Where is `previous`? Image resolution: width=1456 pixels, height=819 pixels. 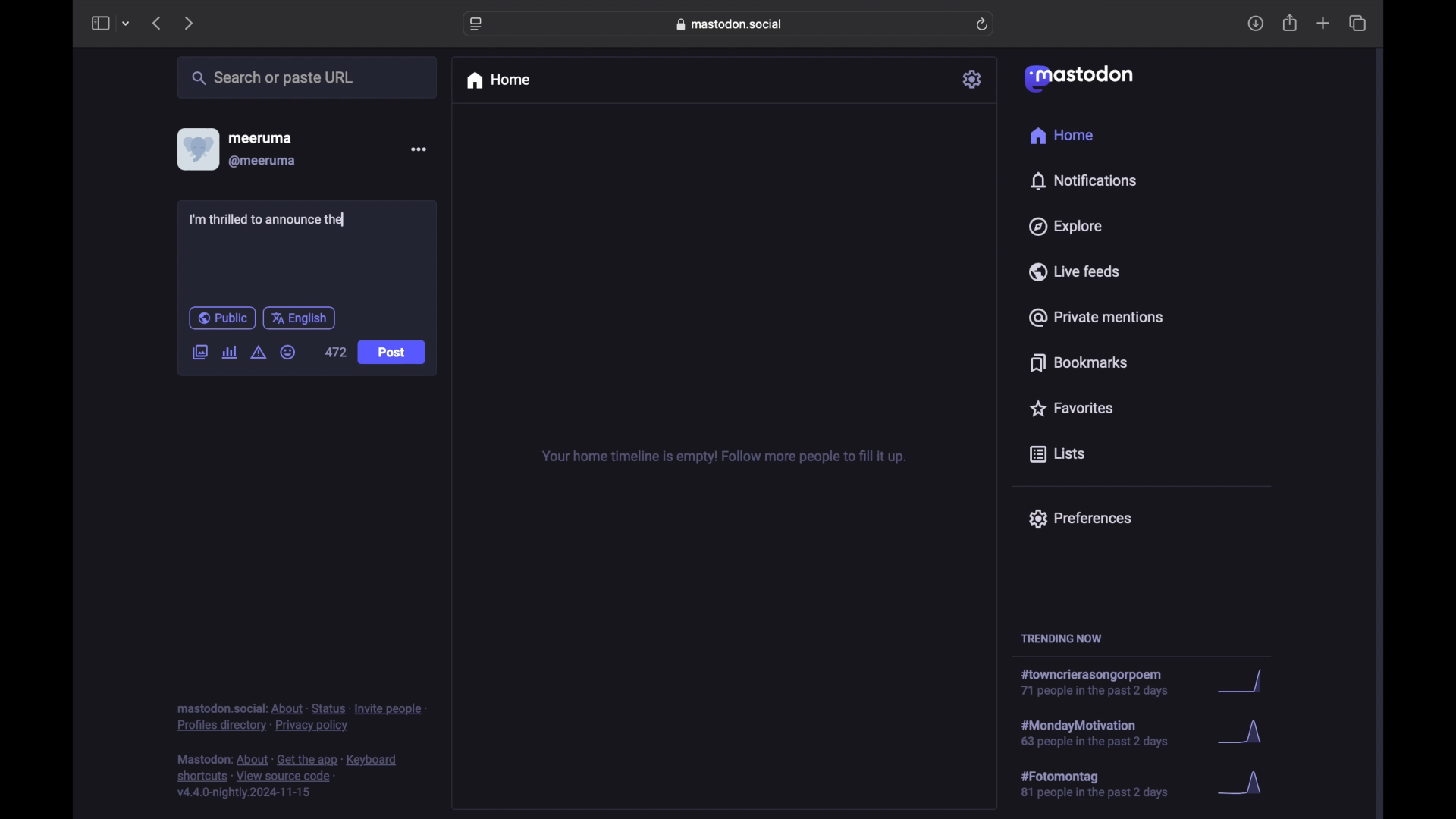 previous is located at coordinates (156, 23).